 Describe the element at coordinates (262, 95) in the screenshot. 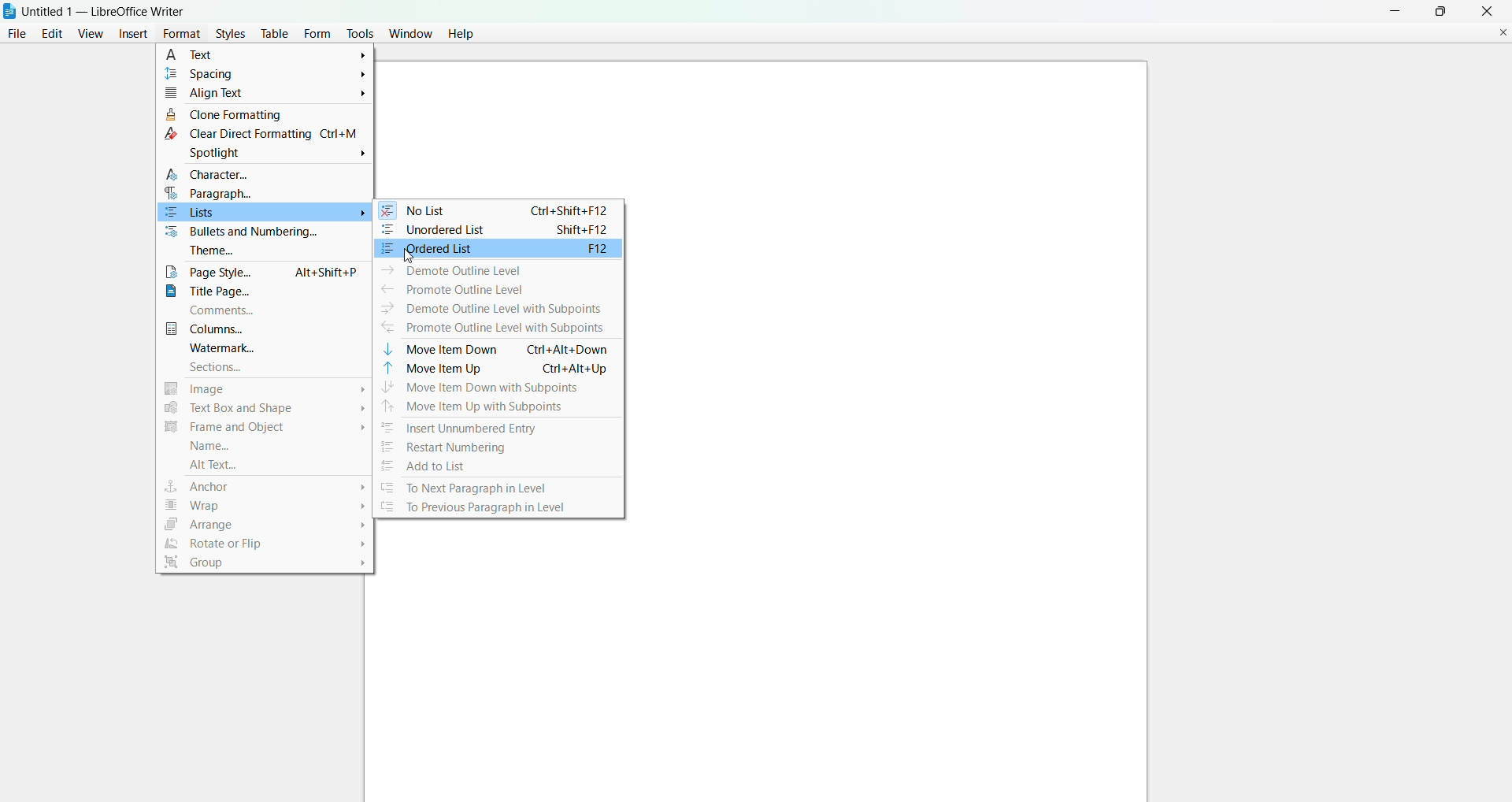

I see `align text` at that location.